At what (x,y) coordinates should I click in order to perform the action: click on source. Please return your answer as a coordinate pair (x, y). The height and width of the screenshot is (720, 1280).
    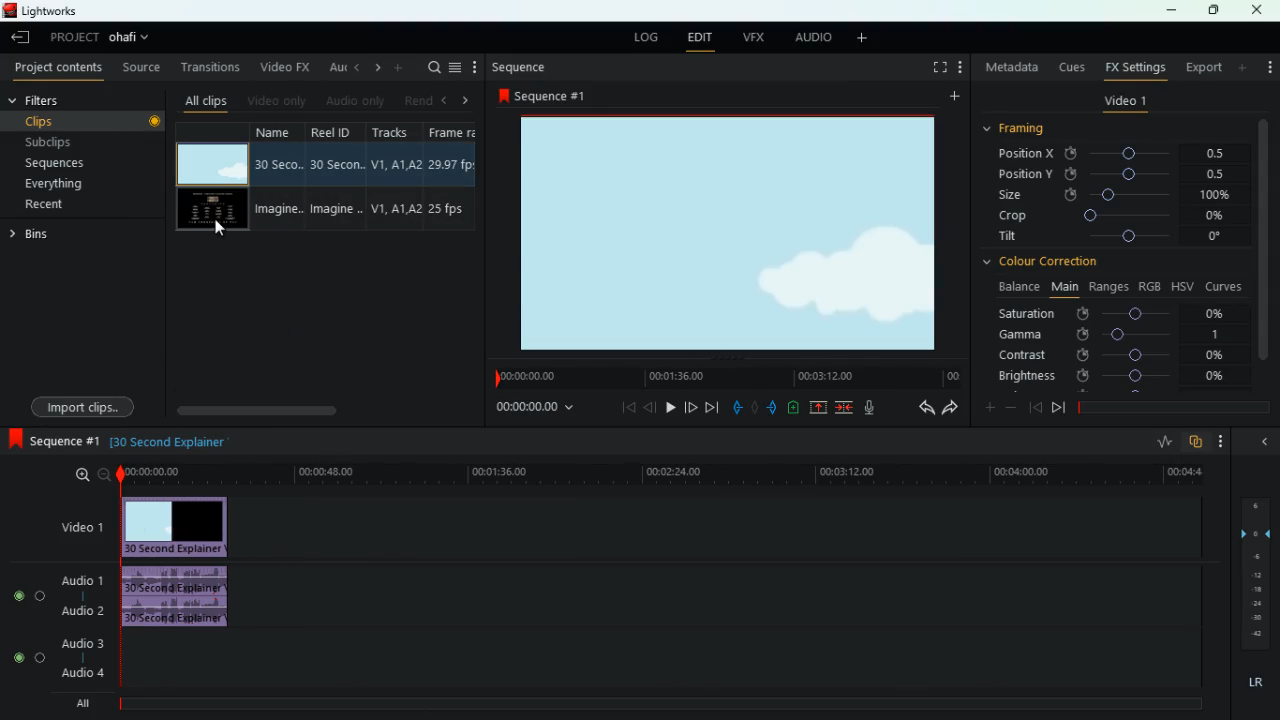
    Looking at the image, I should click on (143, 69).